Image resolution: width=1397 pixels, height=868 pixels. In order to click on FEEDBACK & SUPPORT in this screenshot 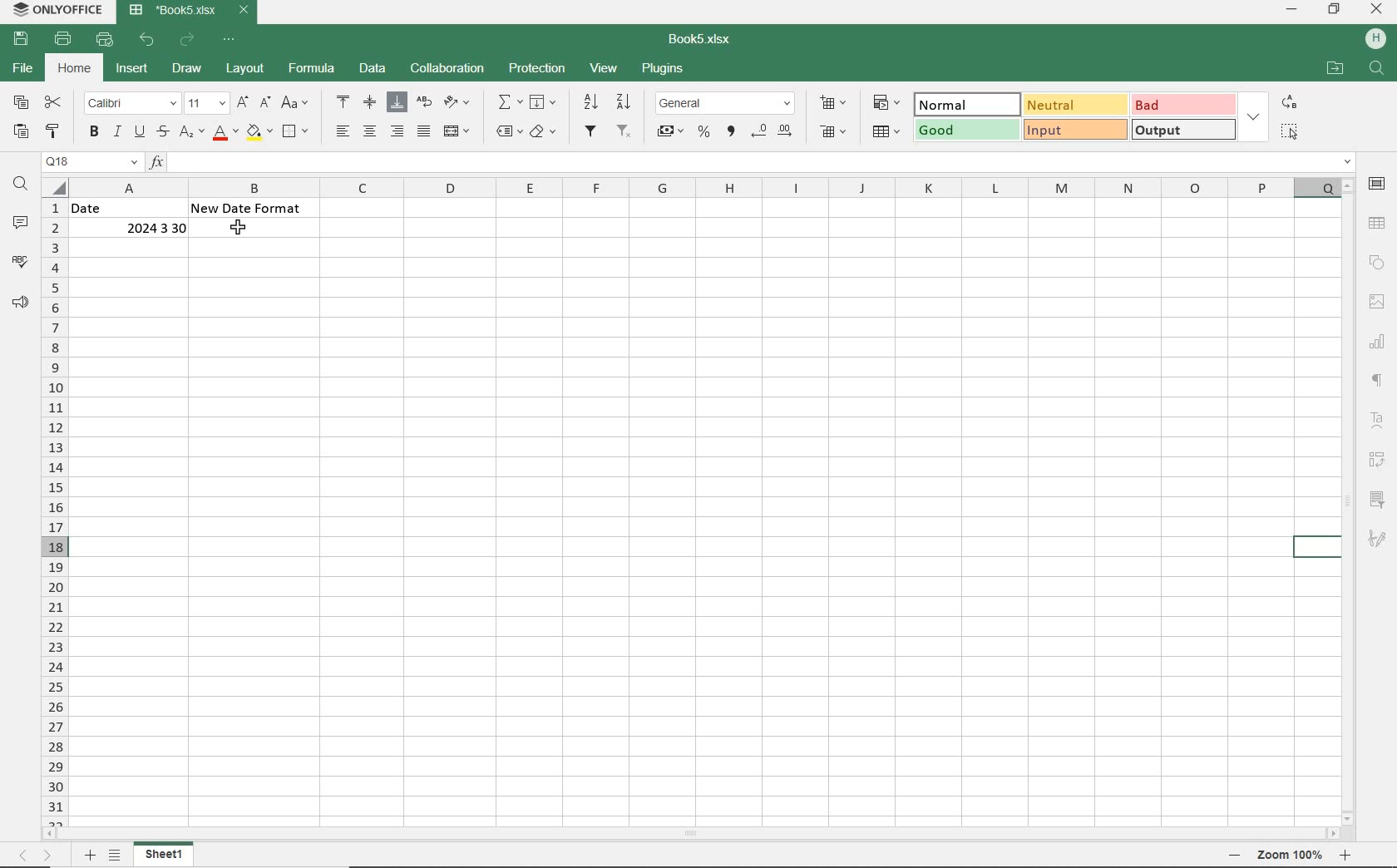, I will do `click(21, 303)`.